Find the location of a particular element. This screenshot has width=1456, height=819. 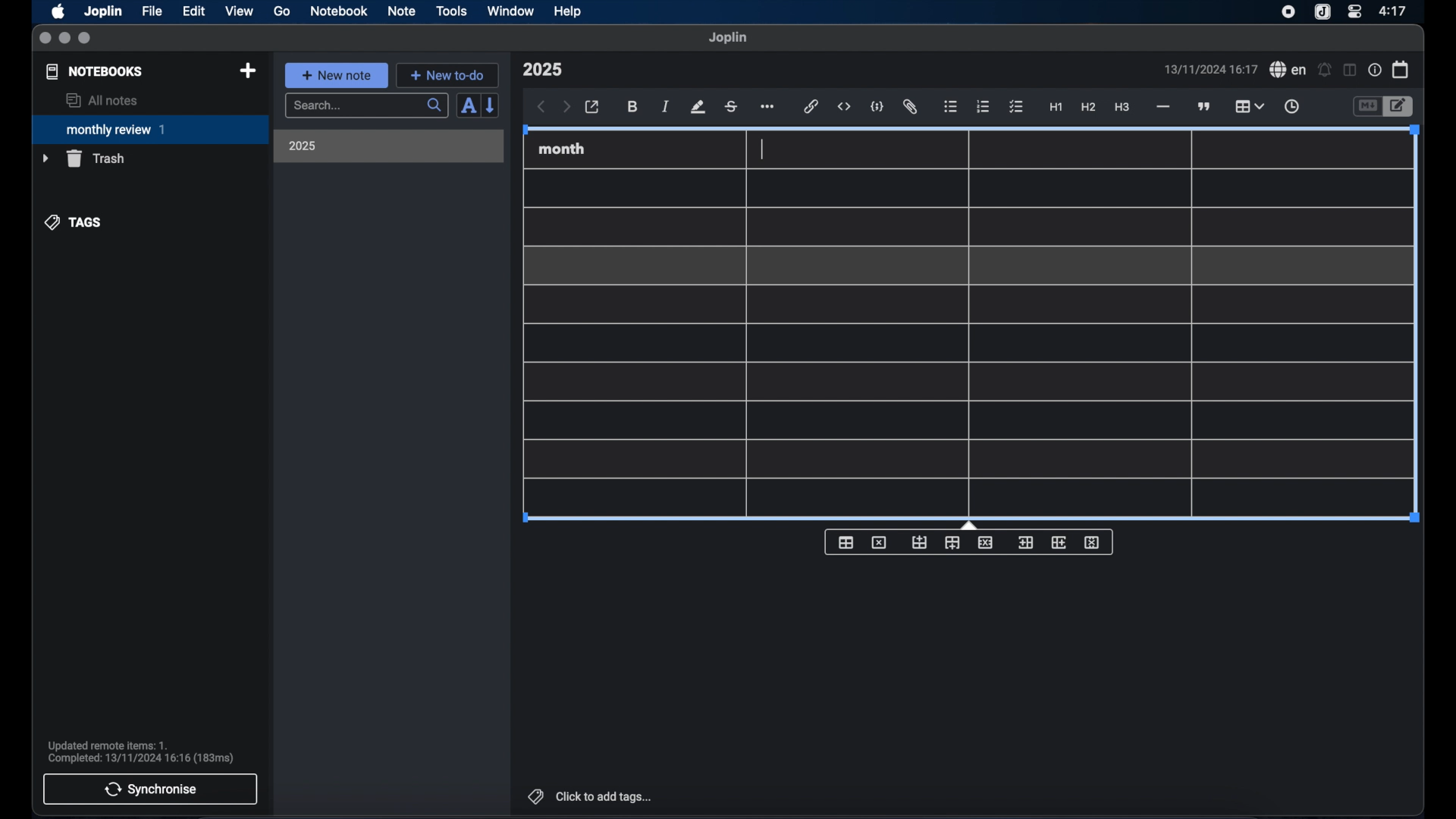

spel check is located at coordinates (1288, 70).